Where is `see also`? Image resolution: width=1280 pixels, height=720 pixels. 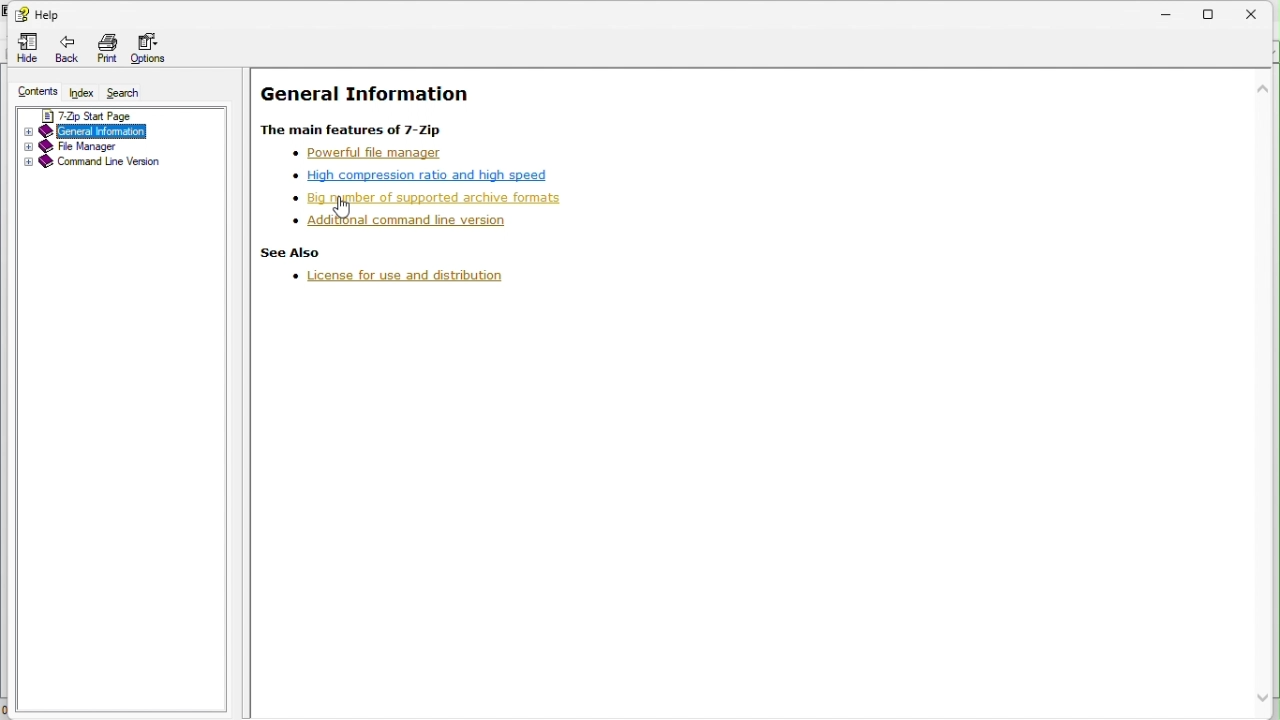 see also is located at coordinates (302, 250).